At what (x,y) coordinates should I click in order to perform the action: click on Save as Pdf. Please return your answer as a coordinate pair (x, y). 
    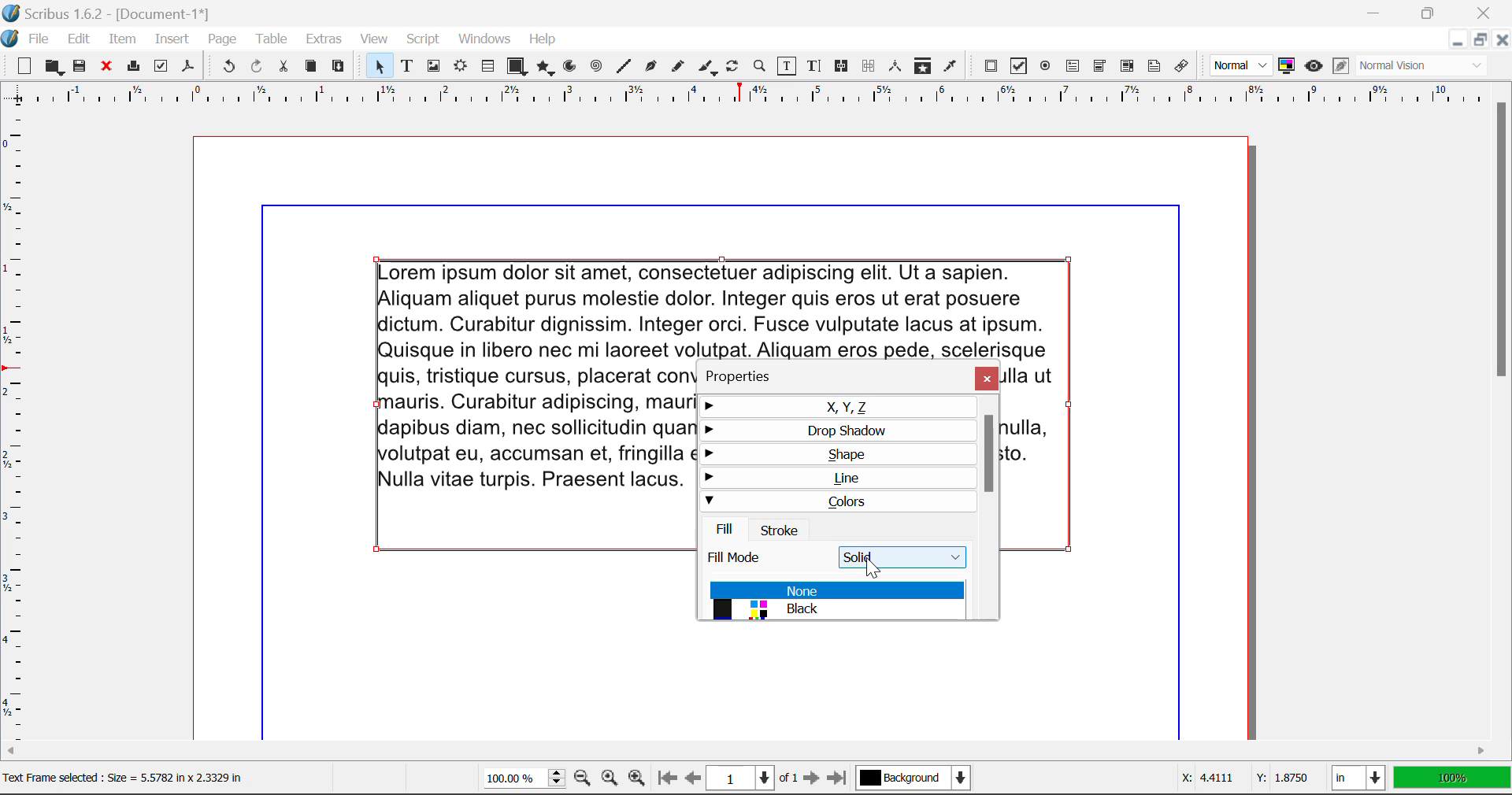
    Looking at the image, I should click on (188, 68).